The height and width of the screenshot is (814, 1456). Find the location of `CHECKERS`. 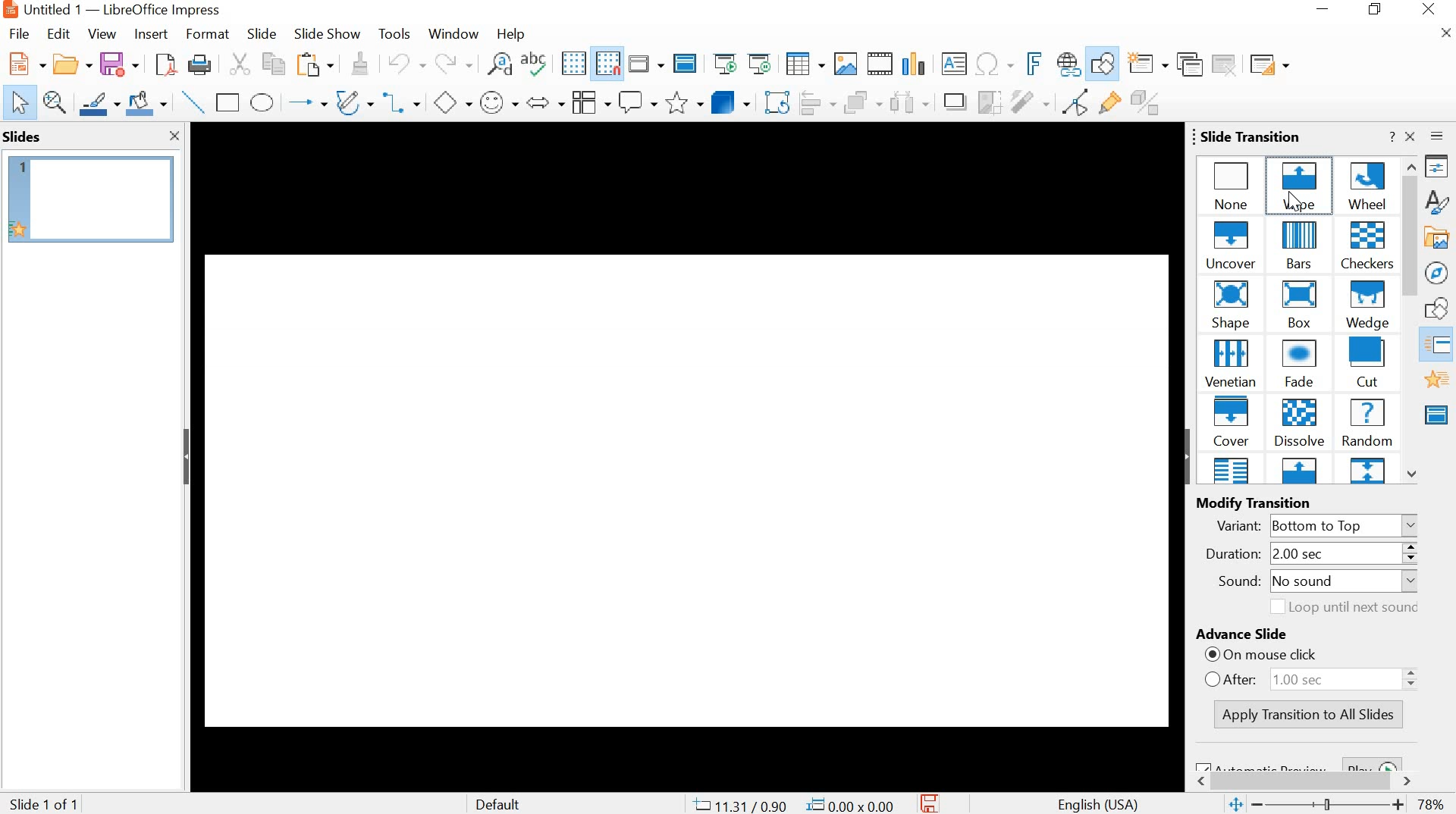

CHECKERS is located at coordinates (1368, 247).